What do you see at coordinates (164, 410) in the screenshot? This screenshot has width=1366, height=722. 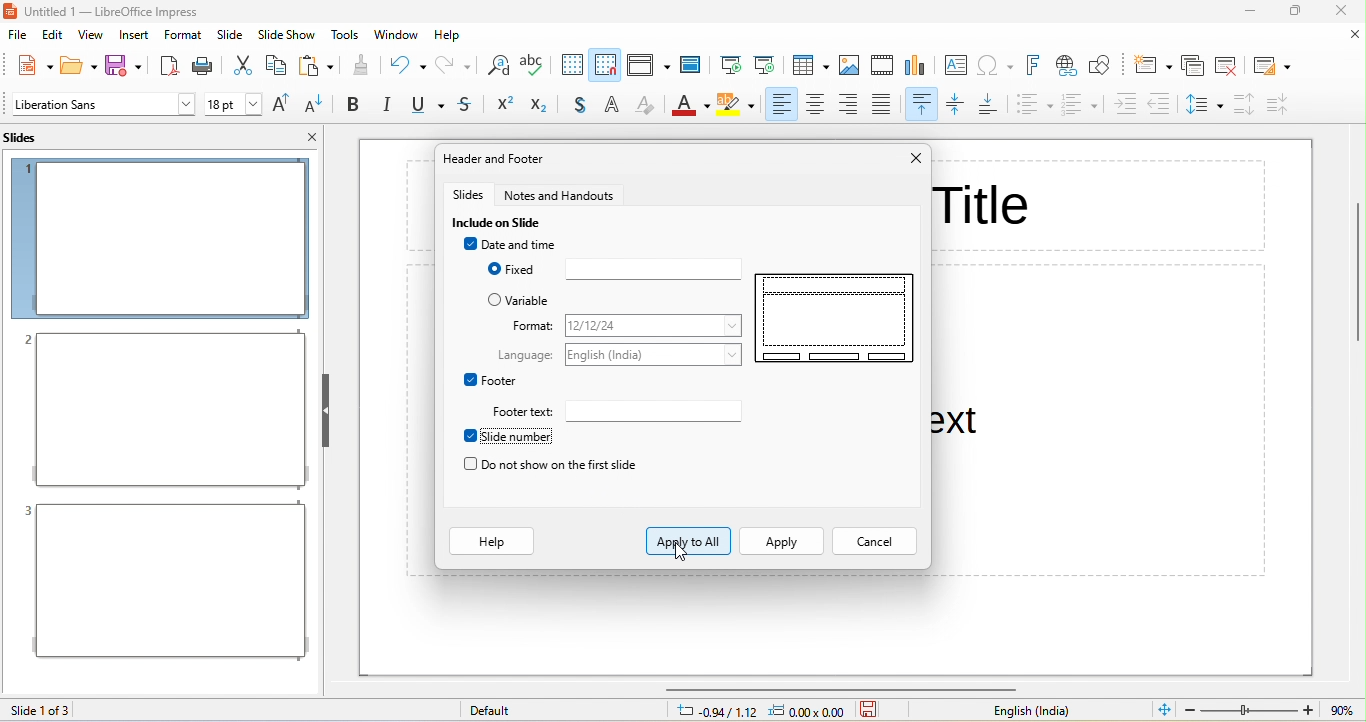 I see `slide 2` at bounding box center [164, 410].